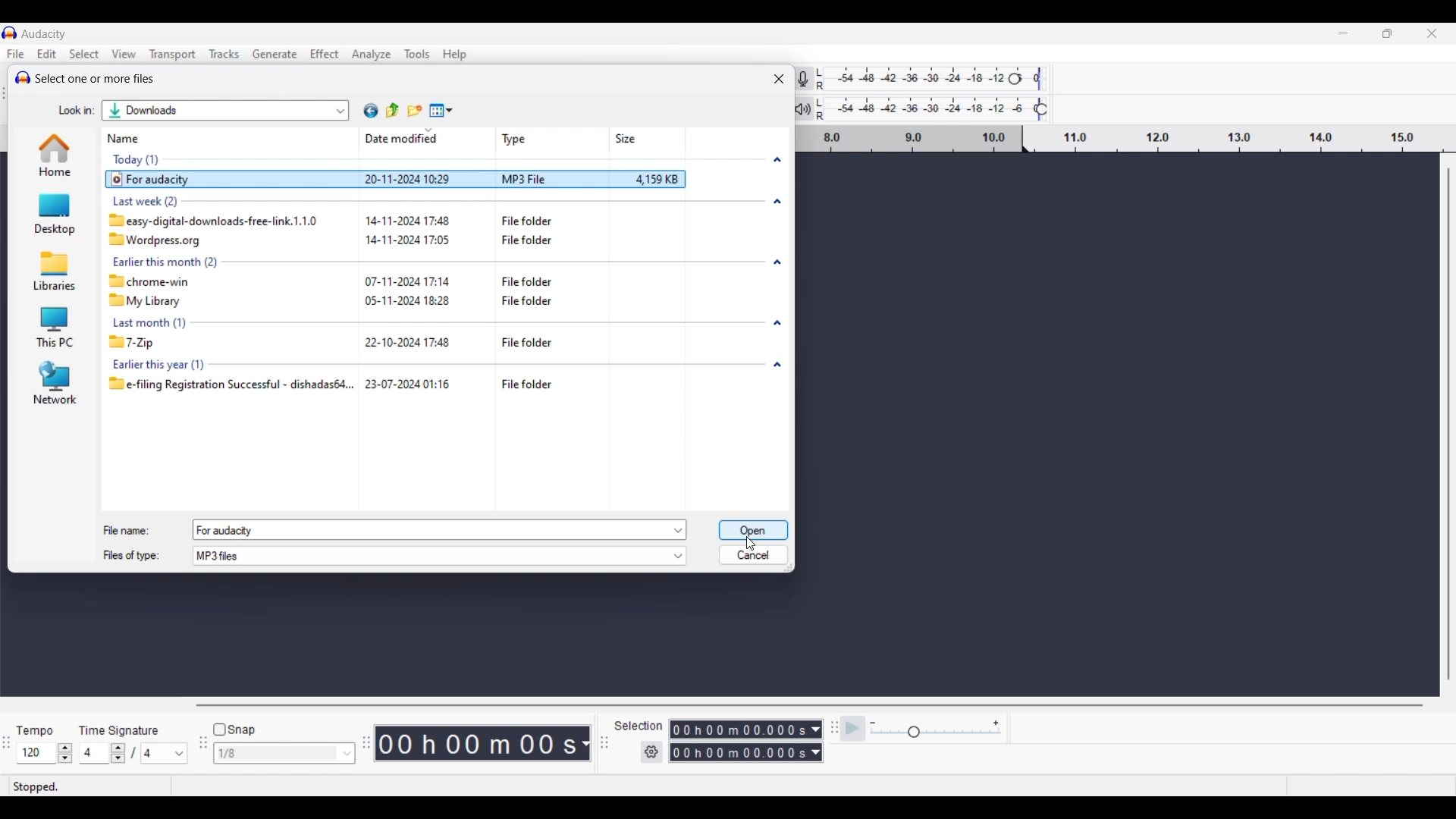 The height and width of the screenshot is (819, 1456). Describe the element at coordinates (427, 531) in the screenshot. I see `File name` at that location.